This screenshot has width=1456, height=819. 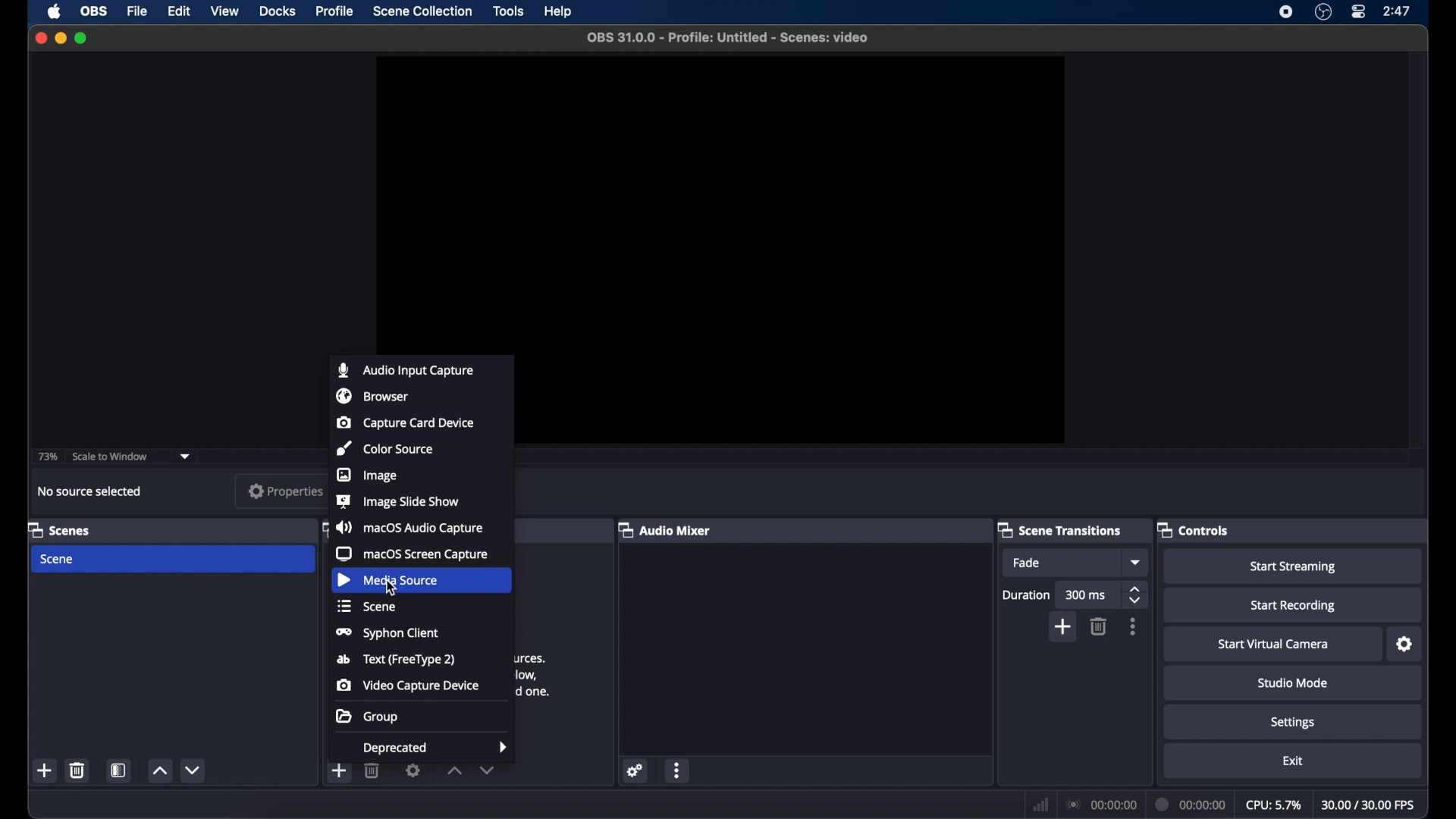 I want to click on file, so click(x=138, y=11).